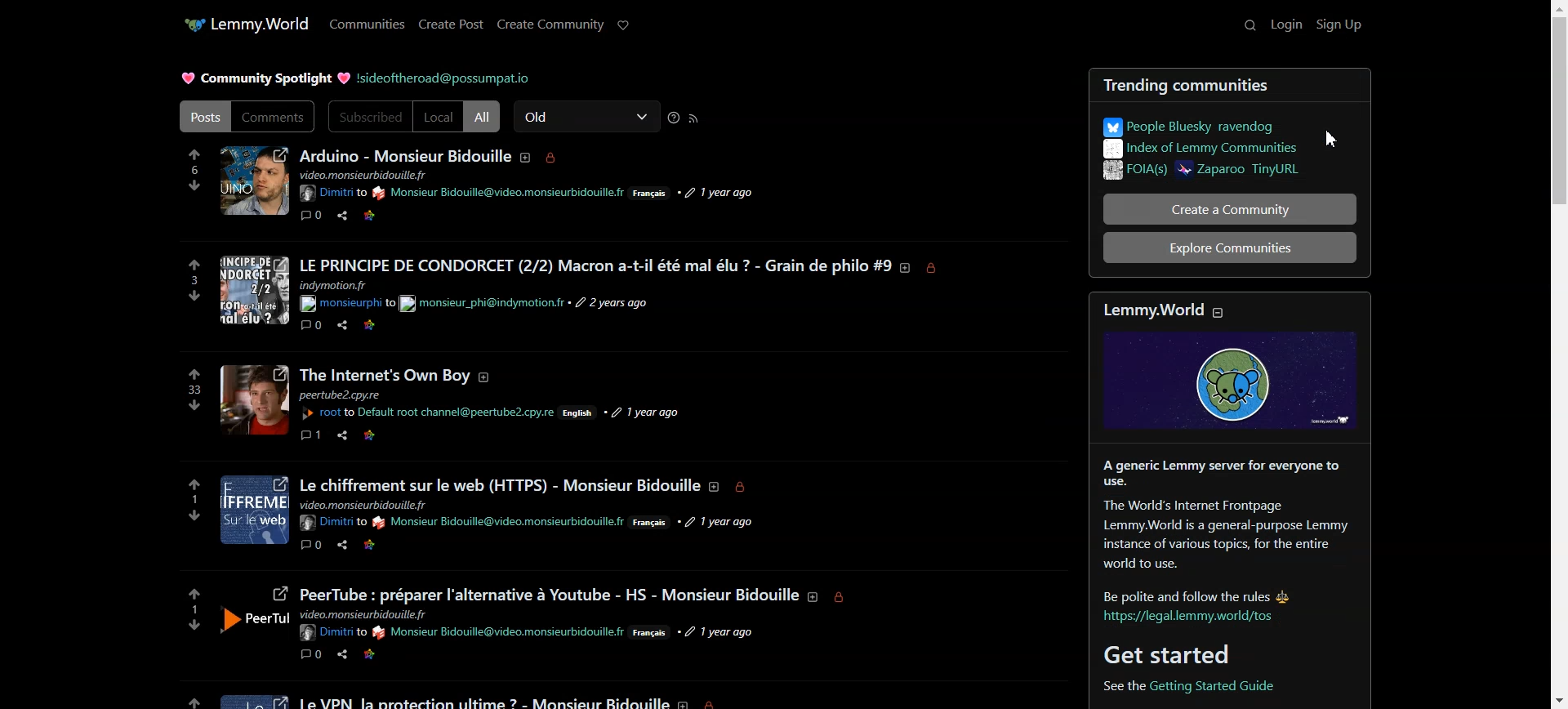 Image resolution: width=1568 pixels, height=709 pixels. Describe the element at coordinates (813, 596) in the screenshot. I see `about` at that location.